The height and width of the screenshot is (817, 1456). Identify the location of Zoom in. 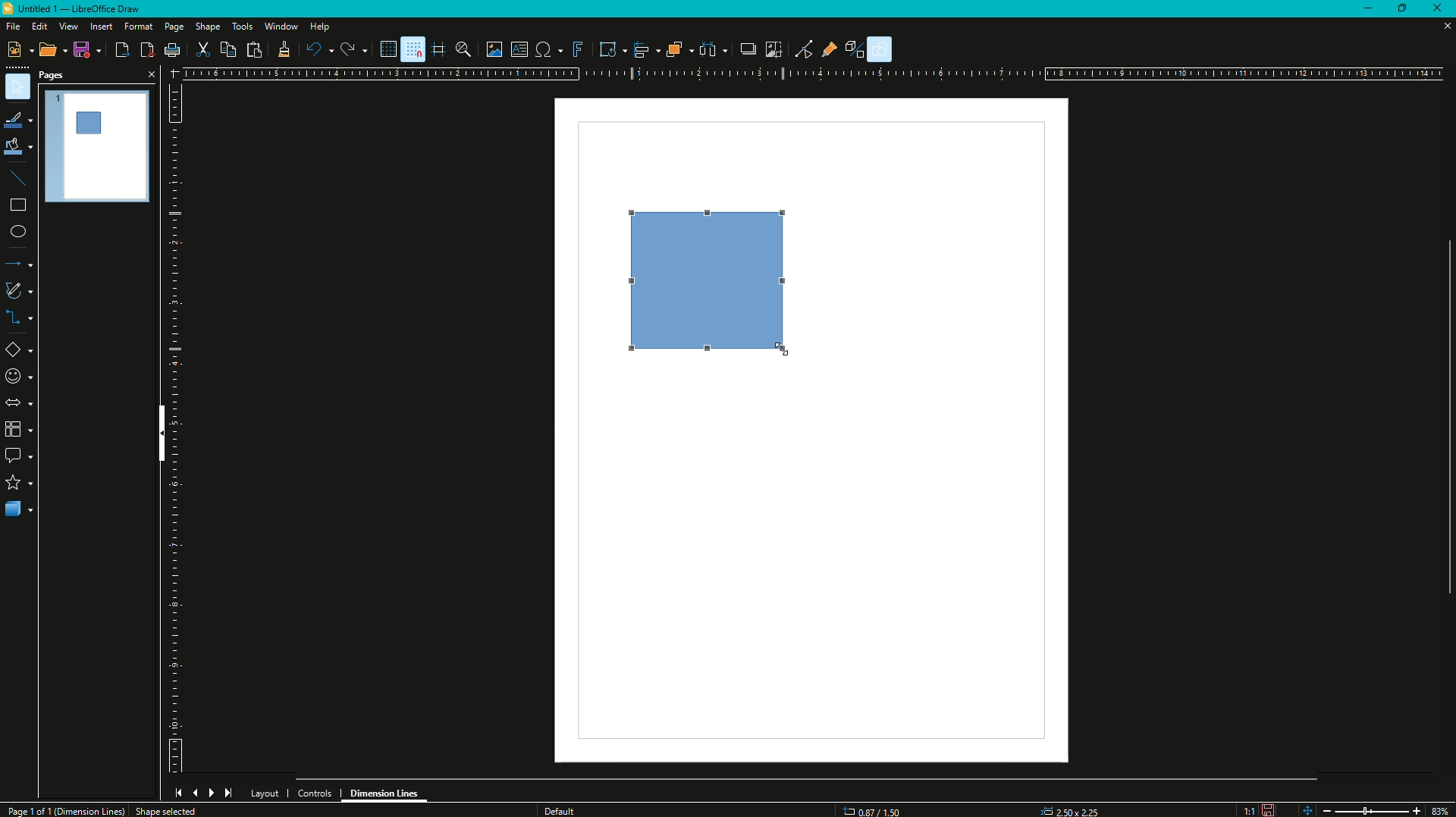
(1416, 810).